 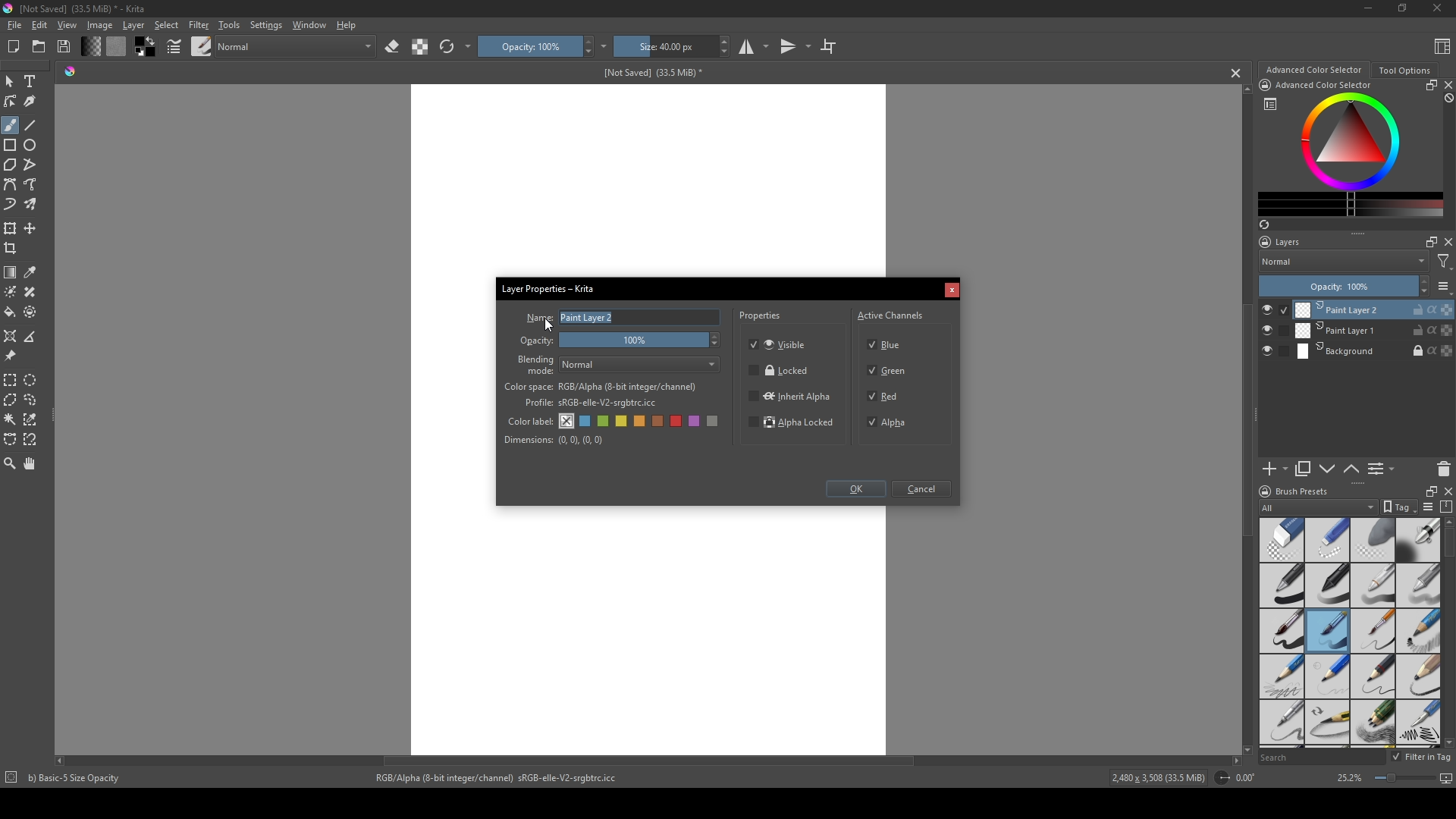 What do you see at coordinates (1384, 469) in the screenshot?
I see `List` at bounding box center [1384, 469].